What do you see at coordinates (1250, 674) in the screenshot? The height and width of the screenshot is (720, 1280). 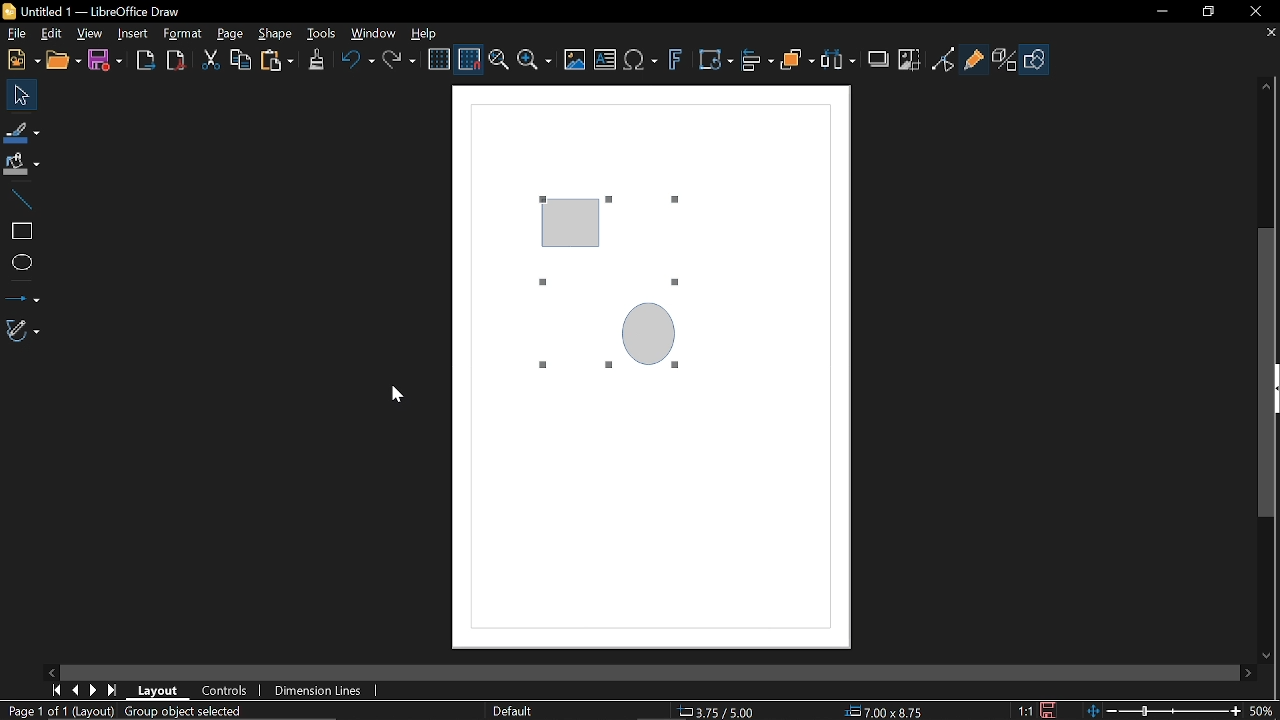 I see `Move right` at bounding box center [1250, 674].